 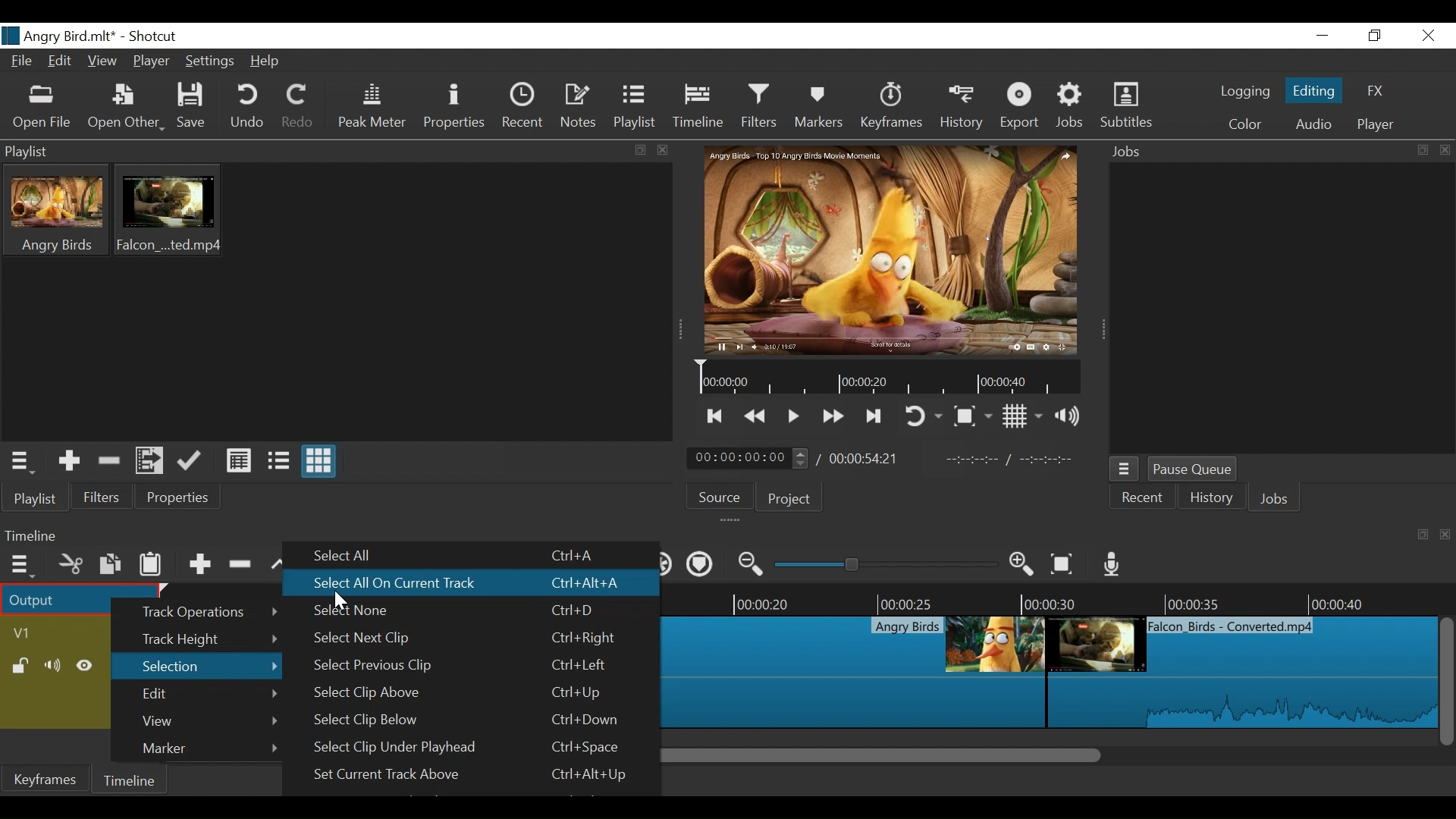 I want to click on Timeline, so click(x=698, y=106).